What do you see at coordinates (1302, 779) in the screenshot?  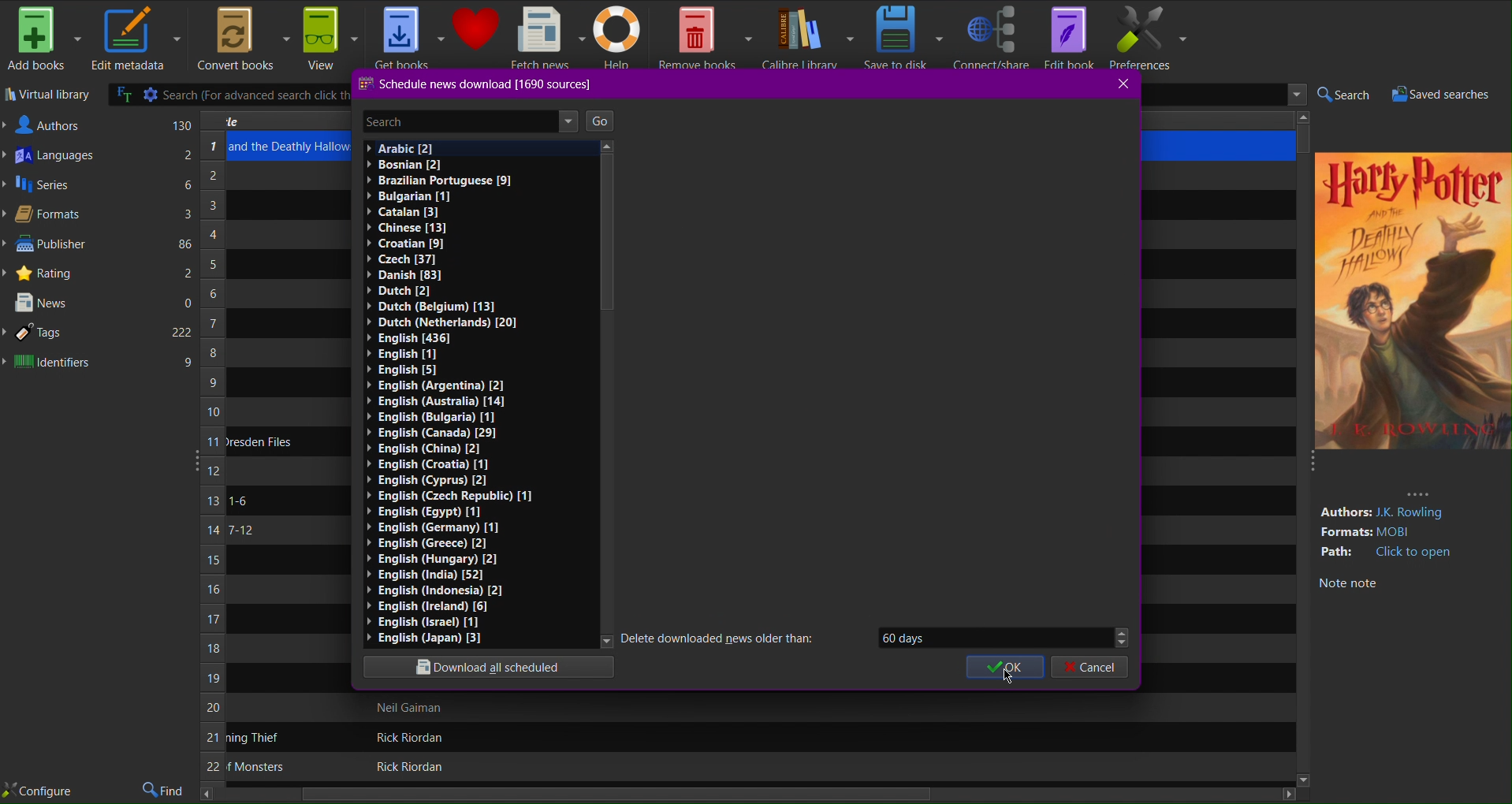 I see `Down` at bounding box center [1302, 779].